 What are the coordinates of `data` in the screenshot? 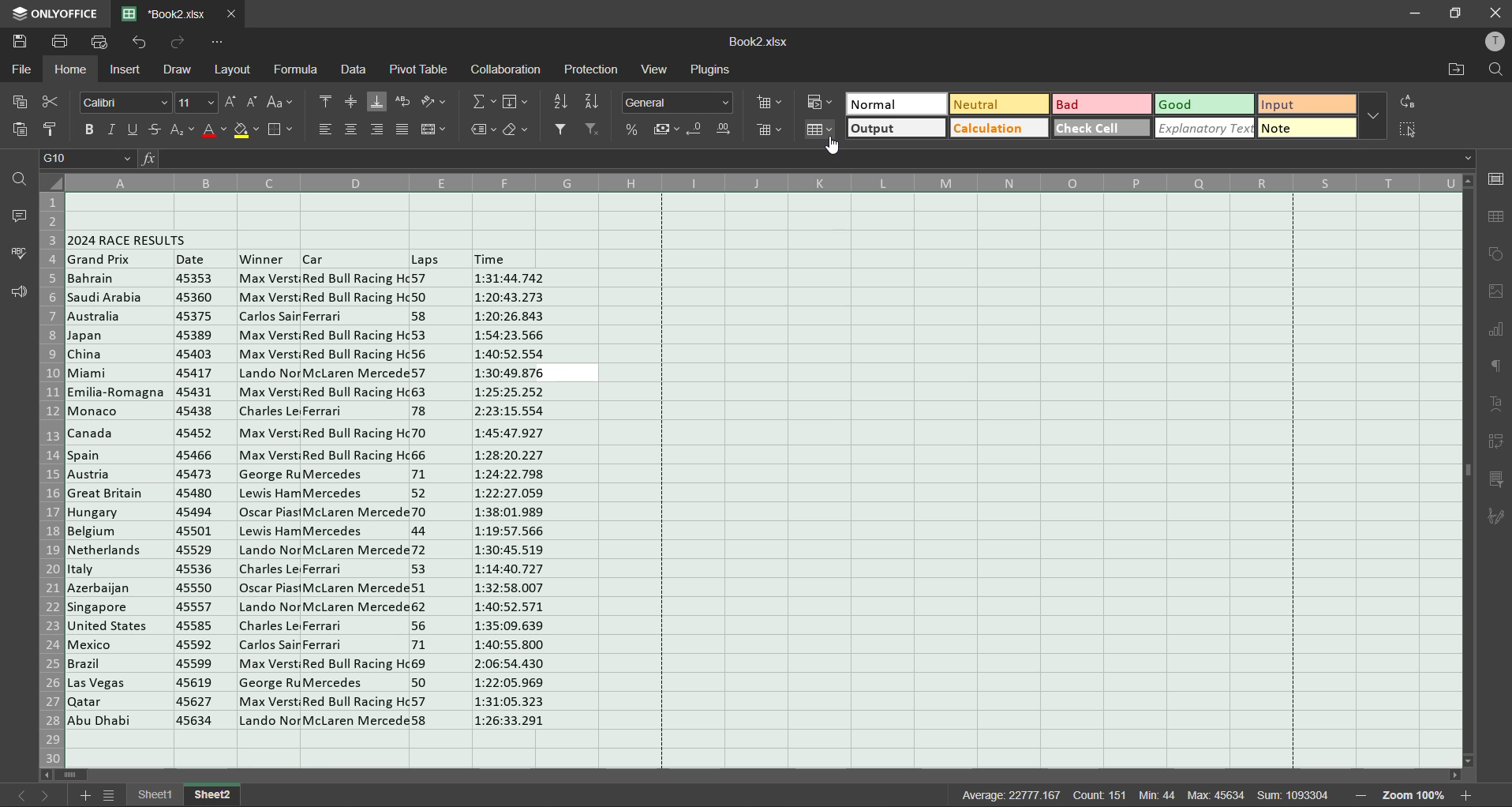 It's located at (352, 72).